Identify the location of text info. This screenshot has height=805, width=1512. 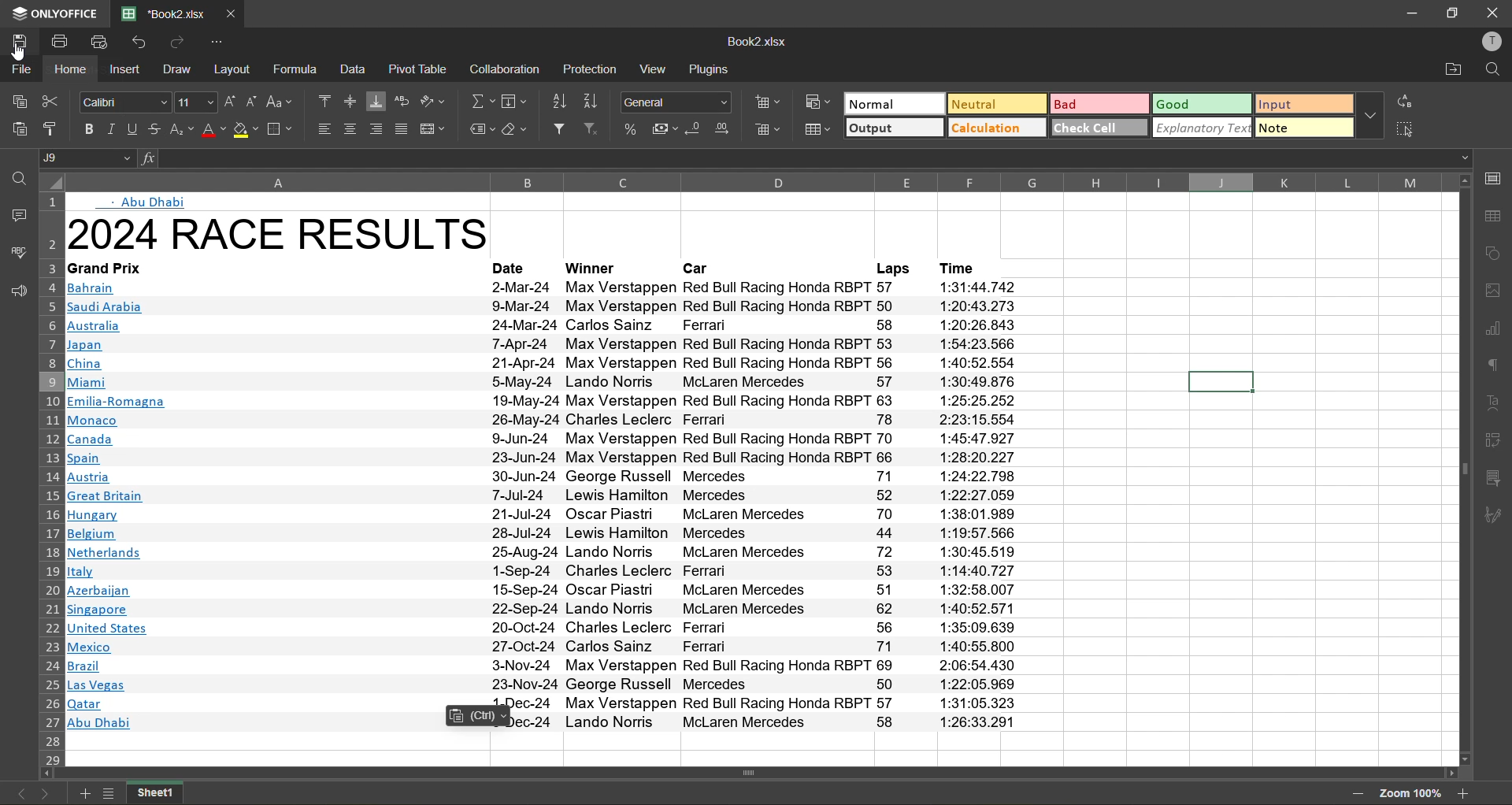
(544, 495).